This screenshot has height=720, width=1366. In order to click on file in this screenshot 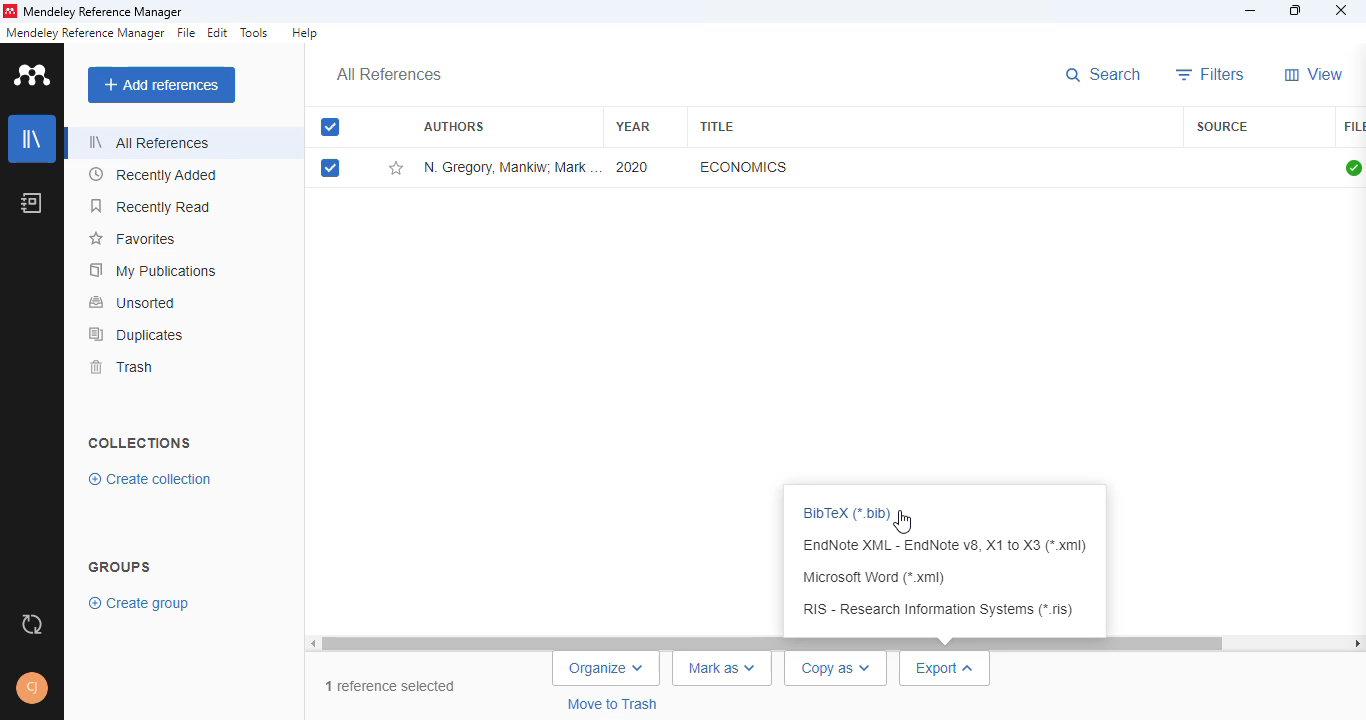, I will do `click(1354, 127)`.